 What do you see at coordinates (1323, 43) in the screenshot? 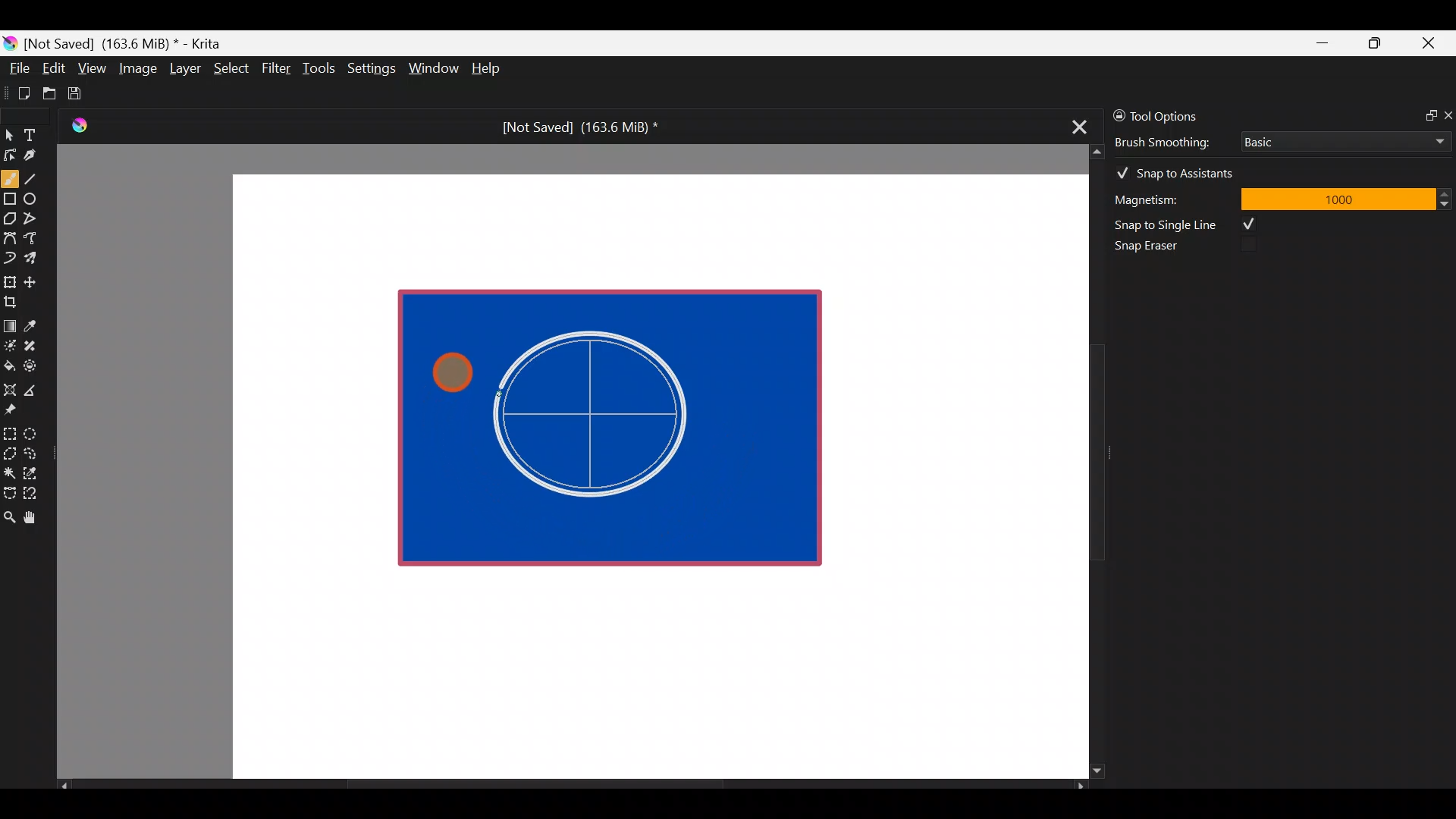
I see `Minimize` at bounding box center [1323, 43].